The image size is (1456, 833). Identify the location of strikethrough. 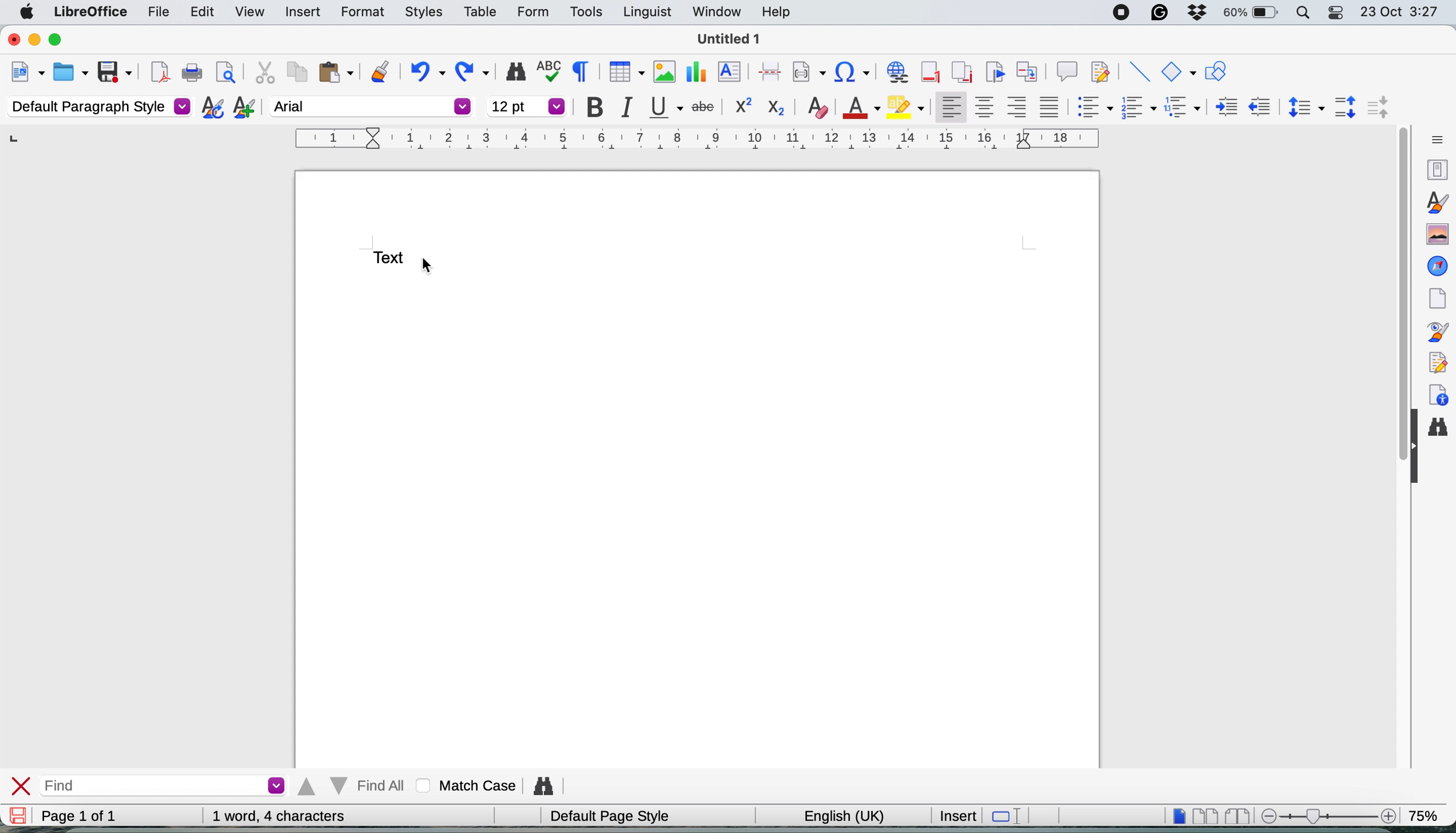
(704, 108).